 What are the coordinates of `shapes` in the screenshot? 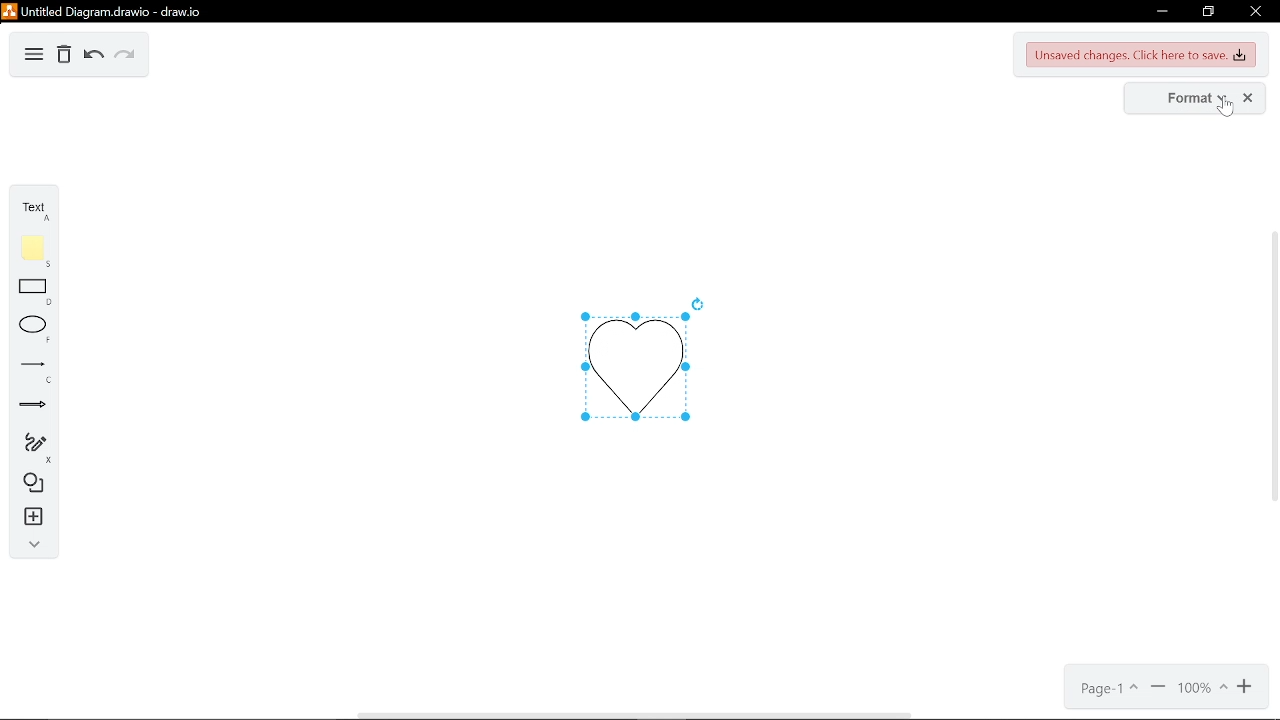 It's located at (32, 483).